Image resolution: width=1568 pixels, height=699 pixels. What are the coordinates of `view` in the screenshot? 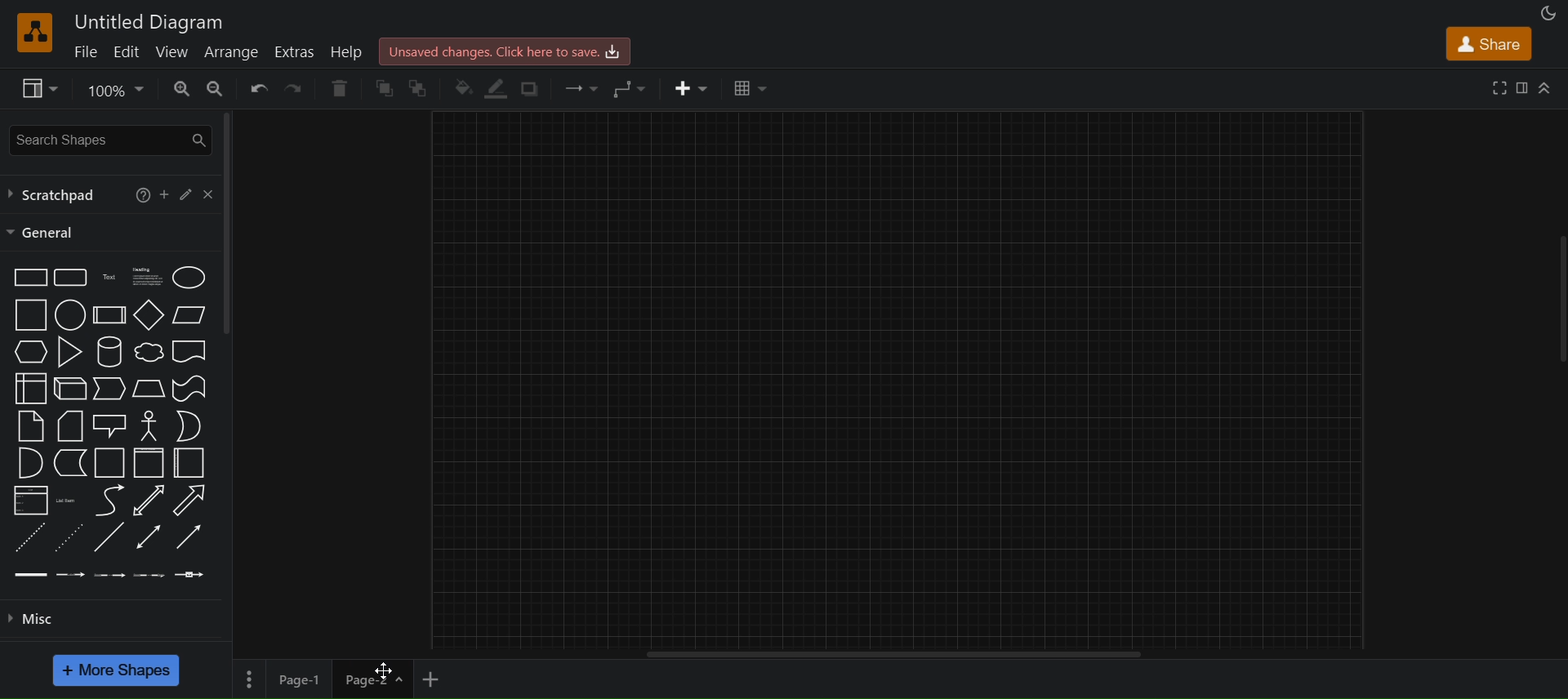 It's located at (37, 89).